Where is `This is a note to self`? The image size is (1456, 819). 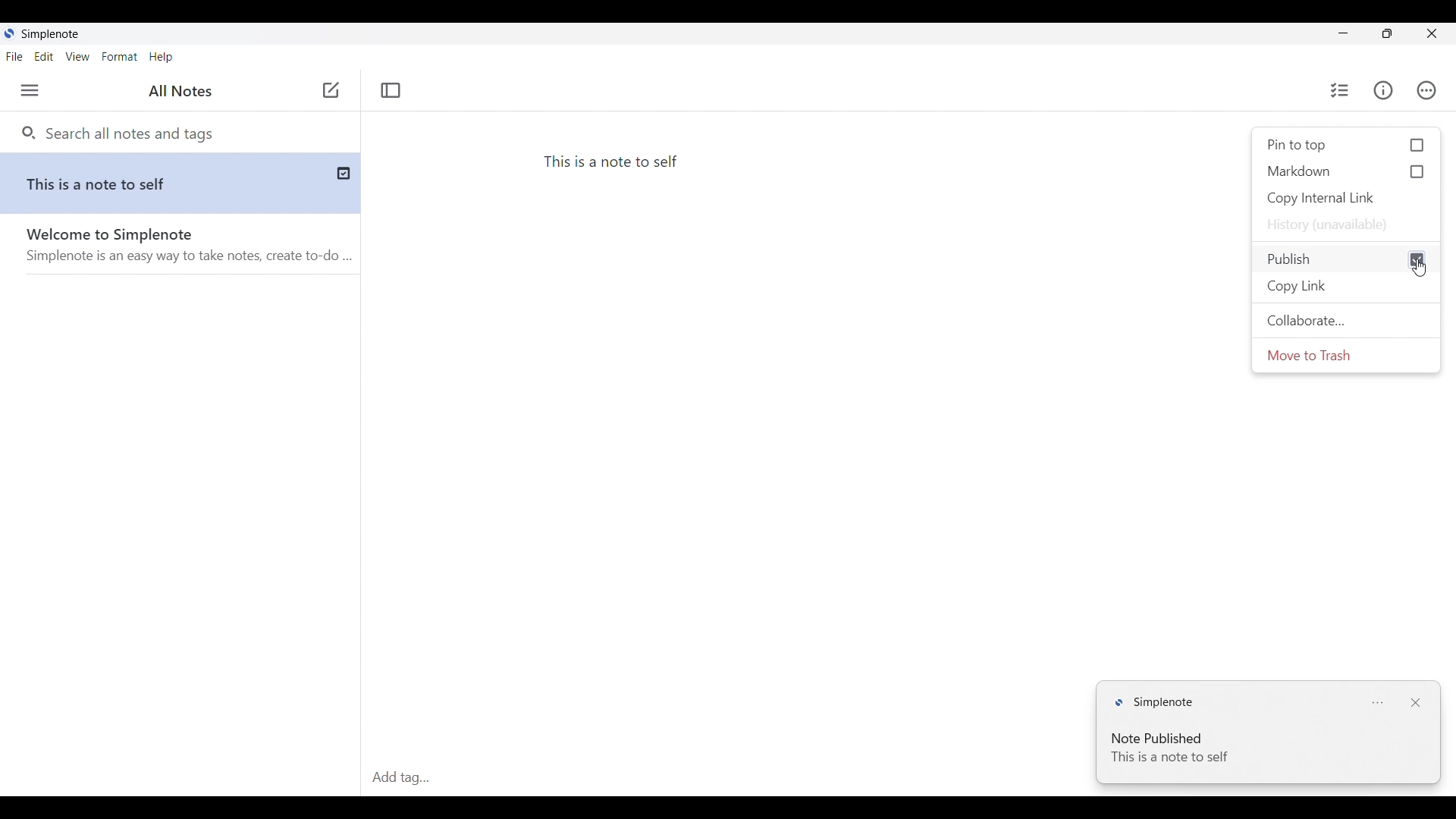 This is a note to self is located at coordinates (618, 162).